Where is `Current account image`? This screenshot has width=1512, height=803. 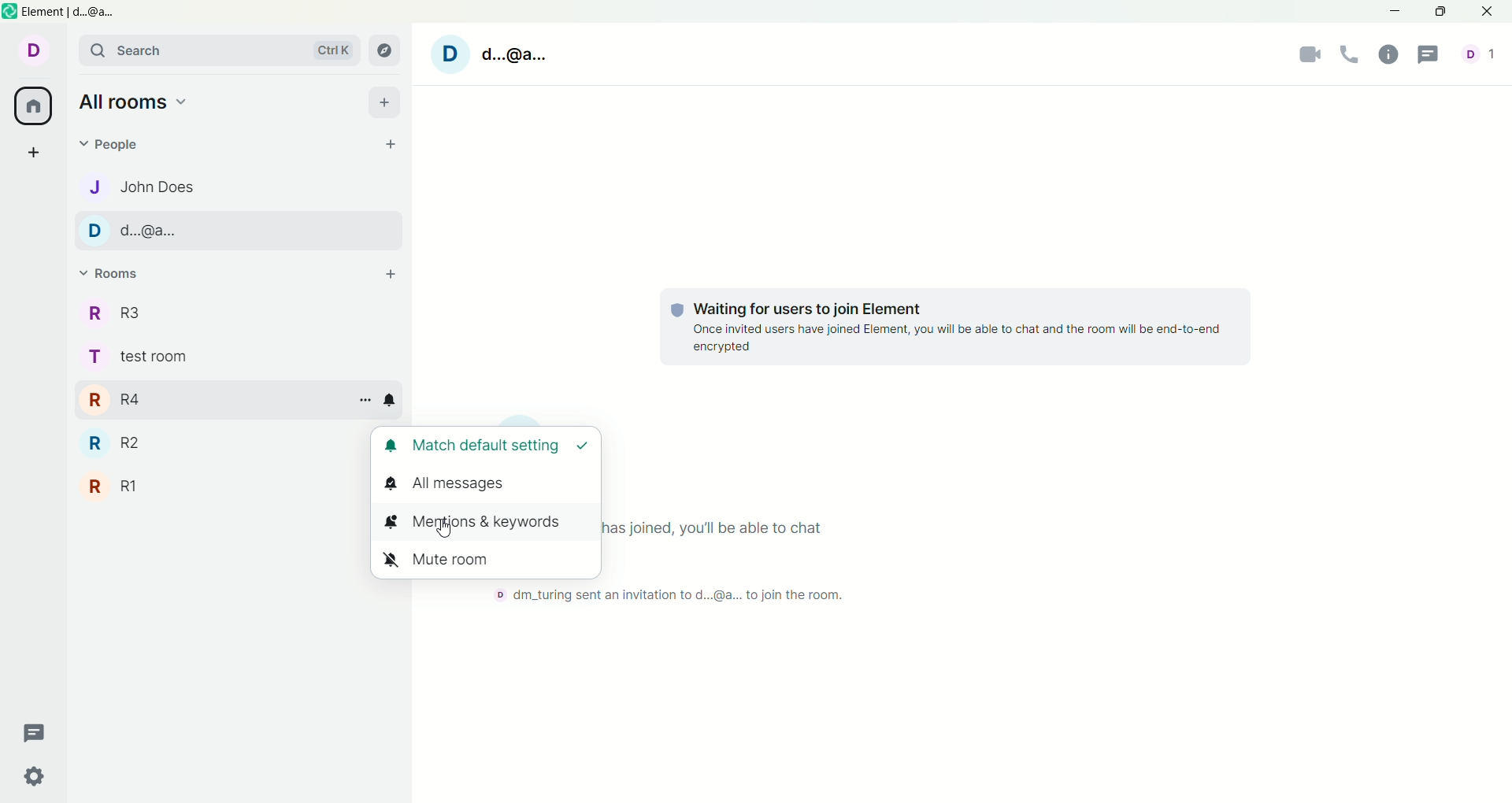 Current account image is located at coordinates (450, 54).